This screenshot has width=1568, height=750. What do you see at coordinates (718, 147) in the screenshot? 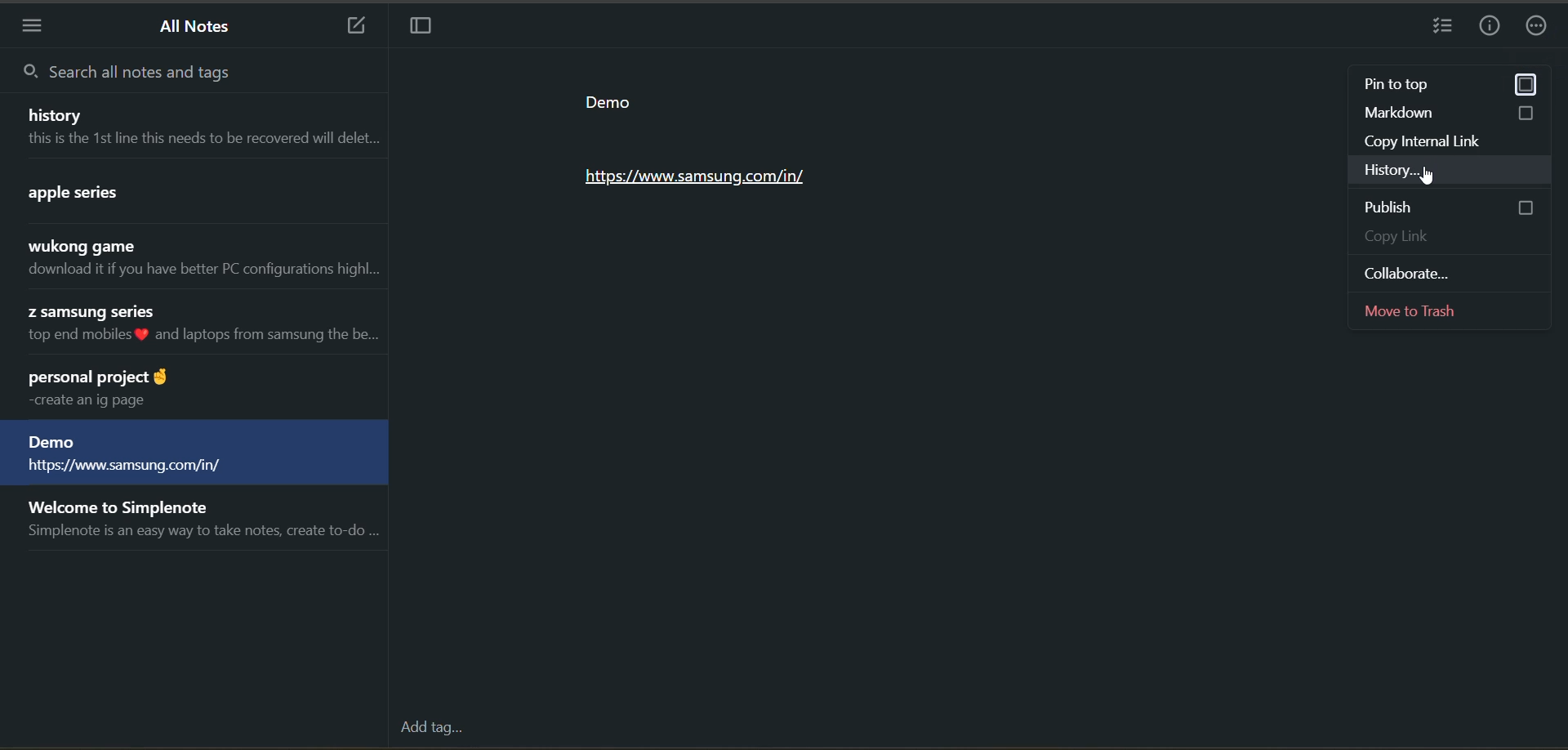
I see `data from current note` at bounding box center [718, 147].